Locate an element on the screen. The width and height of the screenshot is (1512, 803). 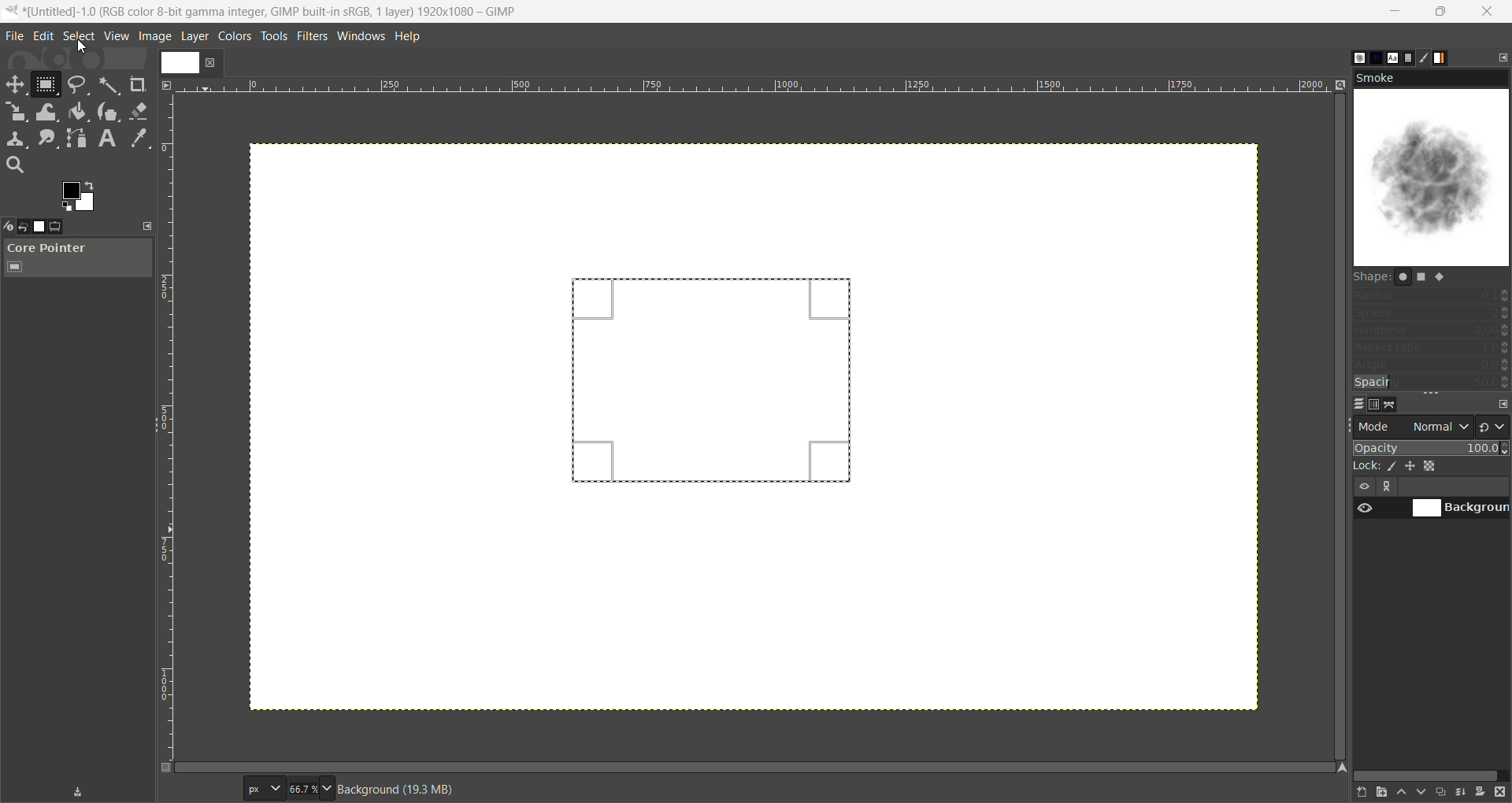
layer is located at coordinates (195, 36).